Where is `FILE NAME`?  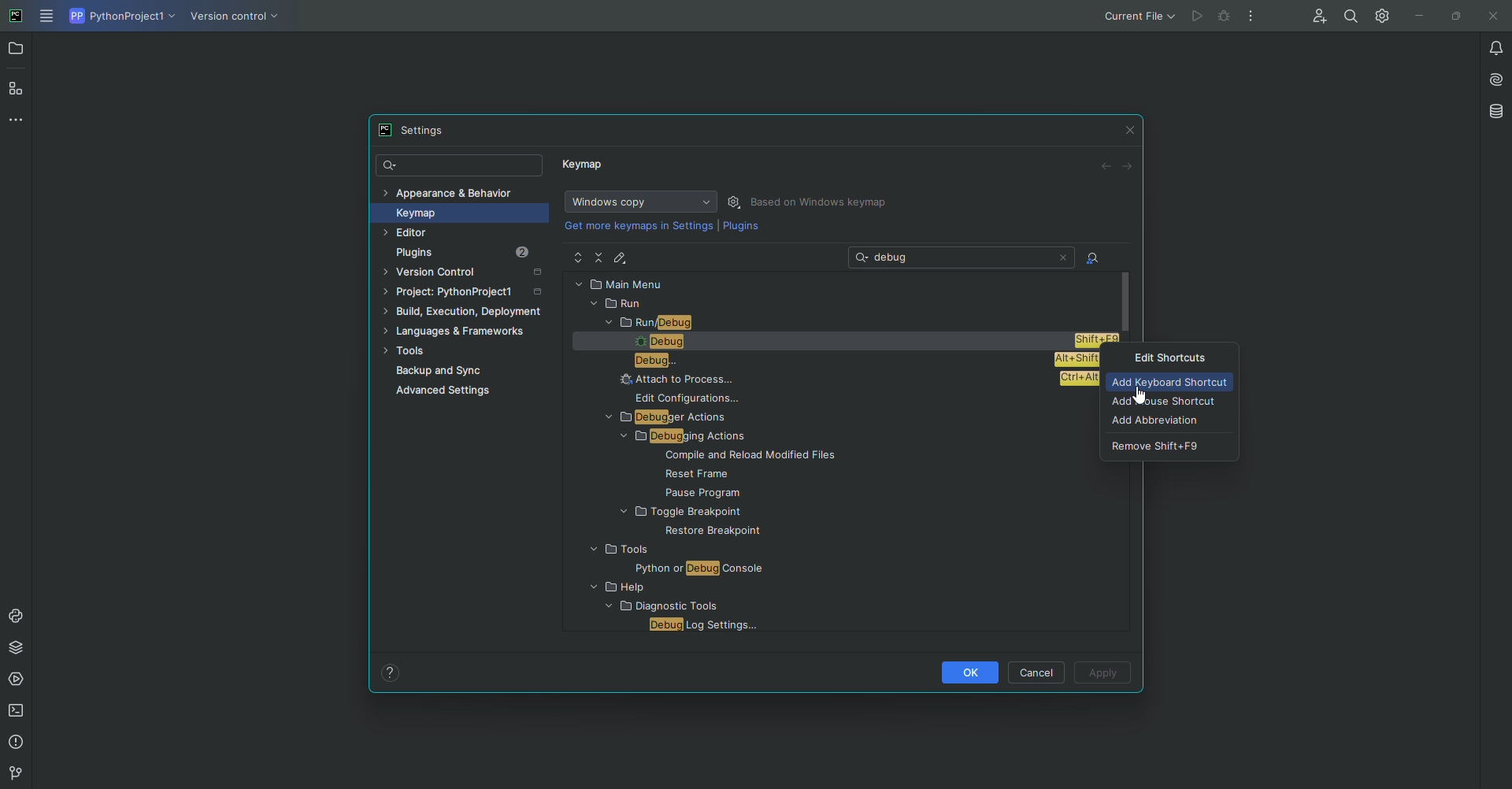 FILE NAME is located at coordinates (754, 457).